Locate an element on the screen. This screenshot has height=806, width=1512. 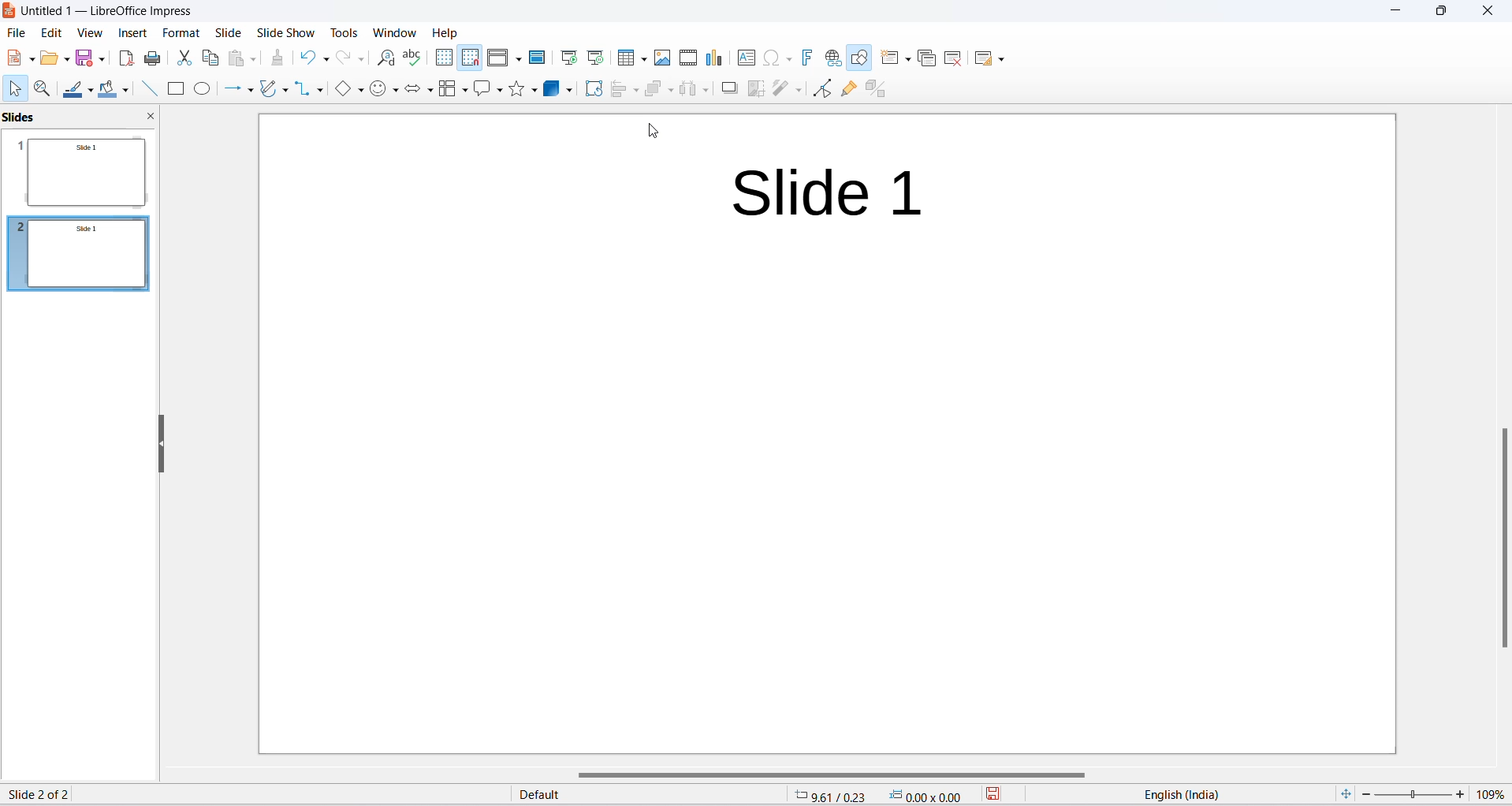
export as pdf is located at coordinates (127, 58).